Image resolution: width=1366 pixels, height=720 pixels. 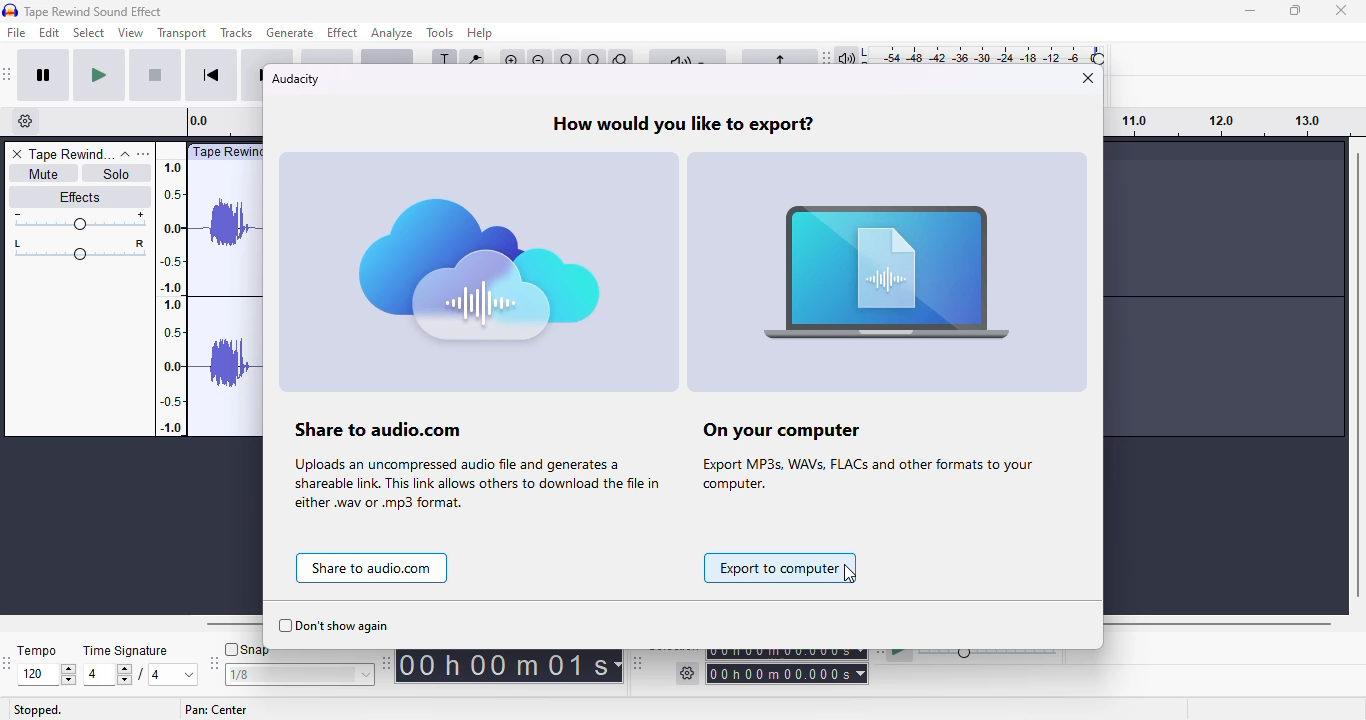 What do you see at coordinates (473, 485) in the screenshot?
I see `Uploads an uncompressed audio file and generates a
shareable link. This link allows others to download the fle in
either wav or .mp3 format.` at bounding box center [473, 485].